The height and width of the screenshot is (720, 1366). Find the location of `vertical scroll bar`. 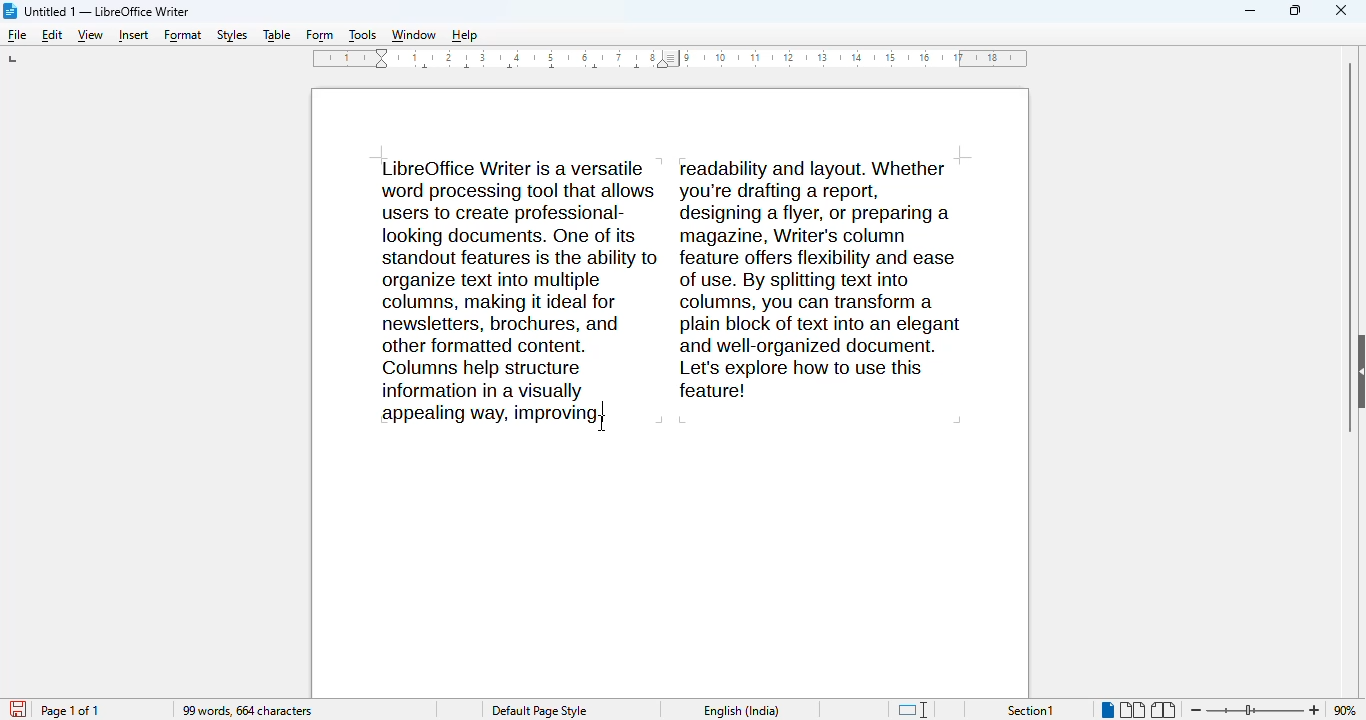

vertical scroll bar is located at coordinates (1342, 245).